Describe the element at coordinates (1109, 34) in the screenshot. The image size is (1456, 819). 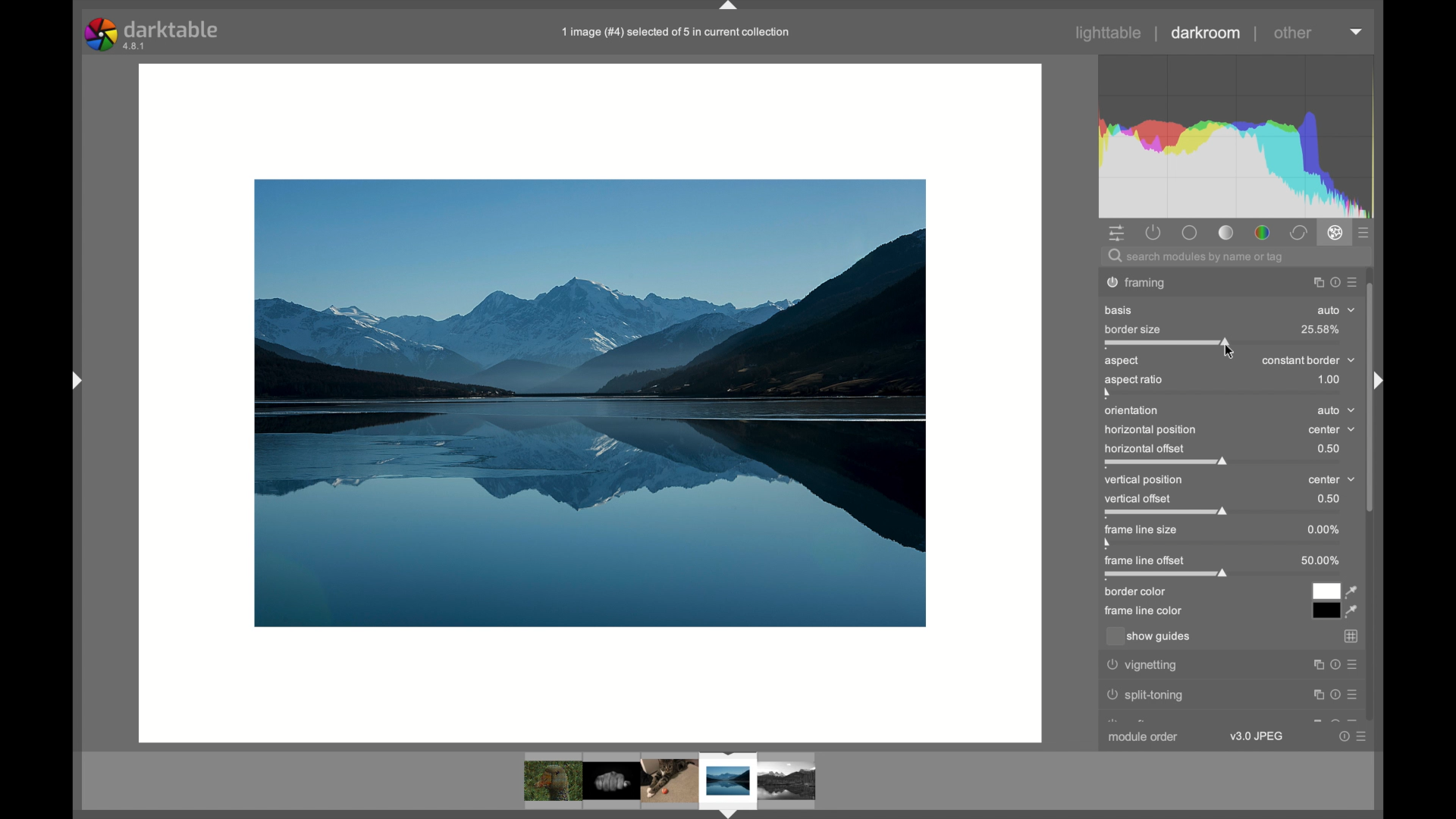
I see `lighttable` at that location.